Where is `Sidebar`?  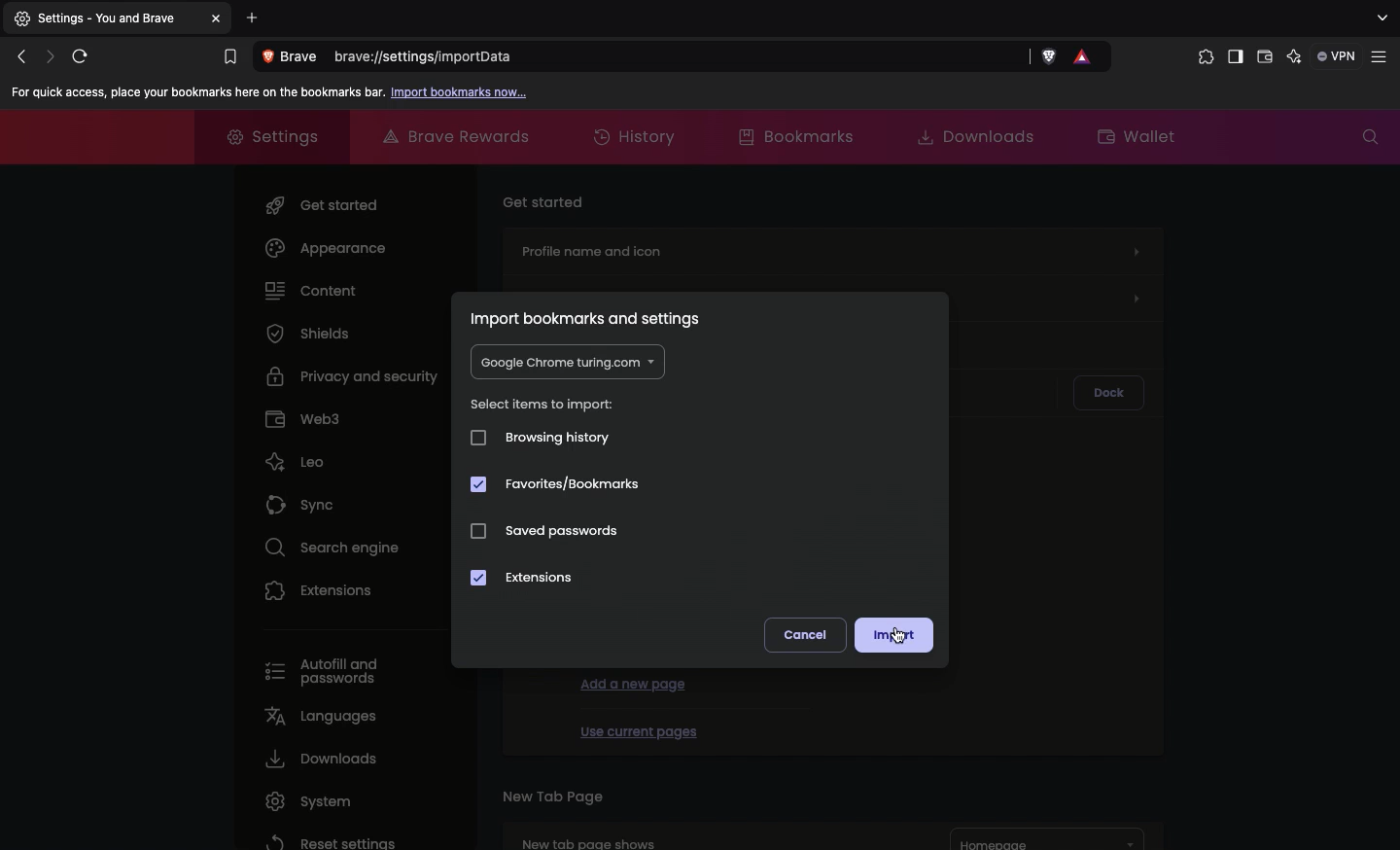 Sidebar is located at coordinates (1234, 58).